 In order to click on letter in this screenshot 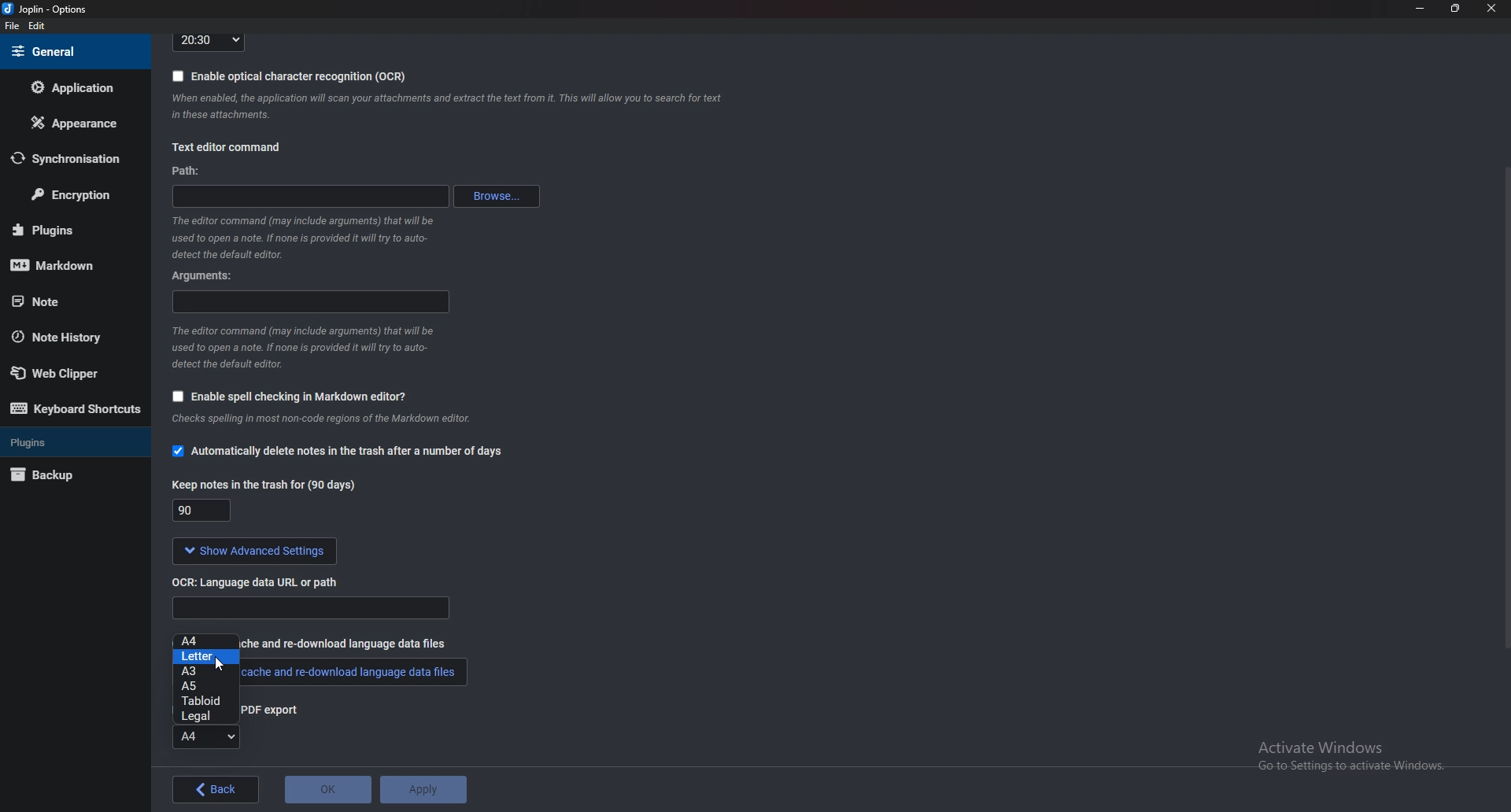, I will do `click(207, 657)`.